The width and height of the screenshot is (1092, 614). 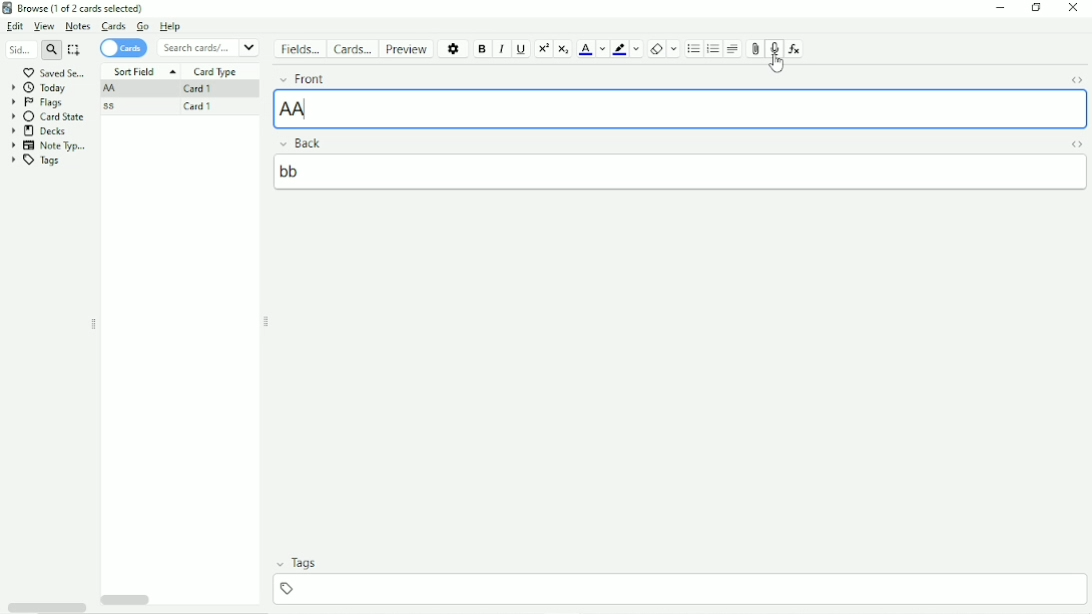 I want to click on Horizontal scrollbar, so click(x=126, y=600).